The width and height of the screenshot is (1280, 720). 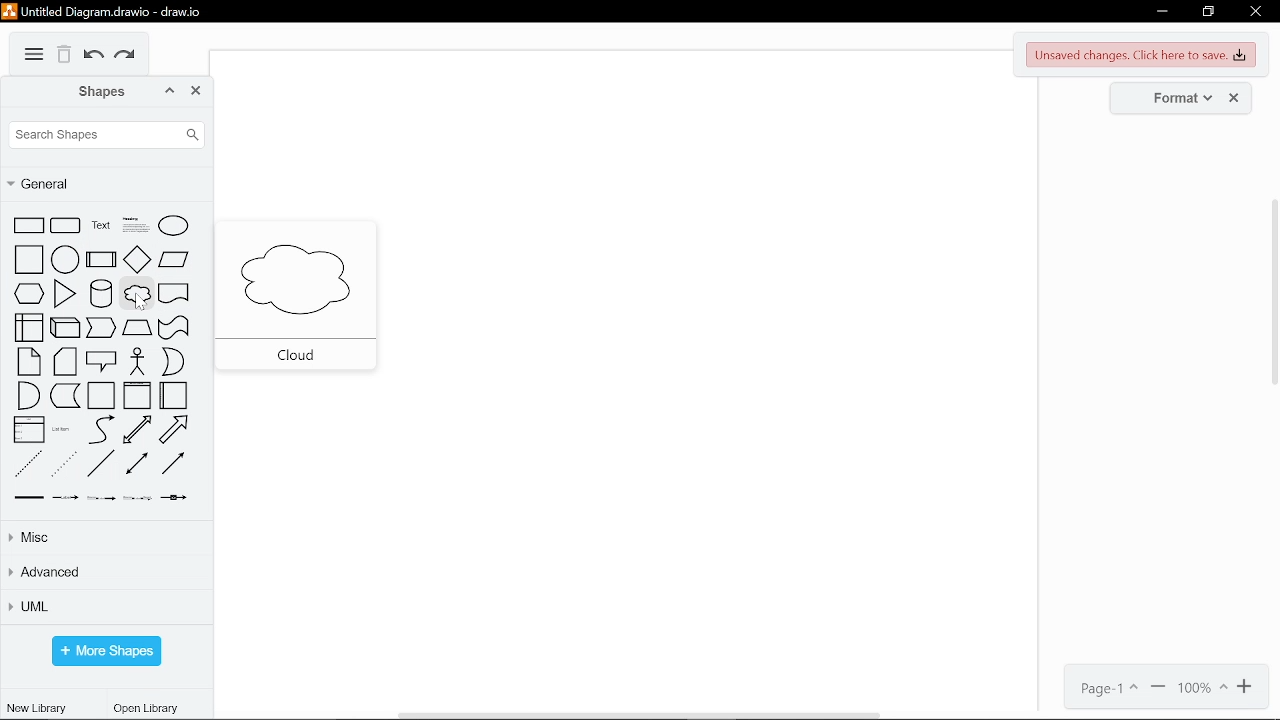 What do you see at coordinates (126, 57) in the screenshot?
I see `redo` at bounding box center [126, 57].